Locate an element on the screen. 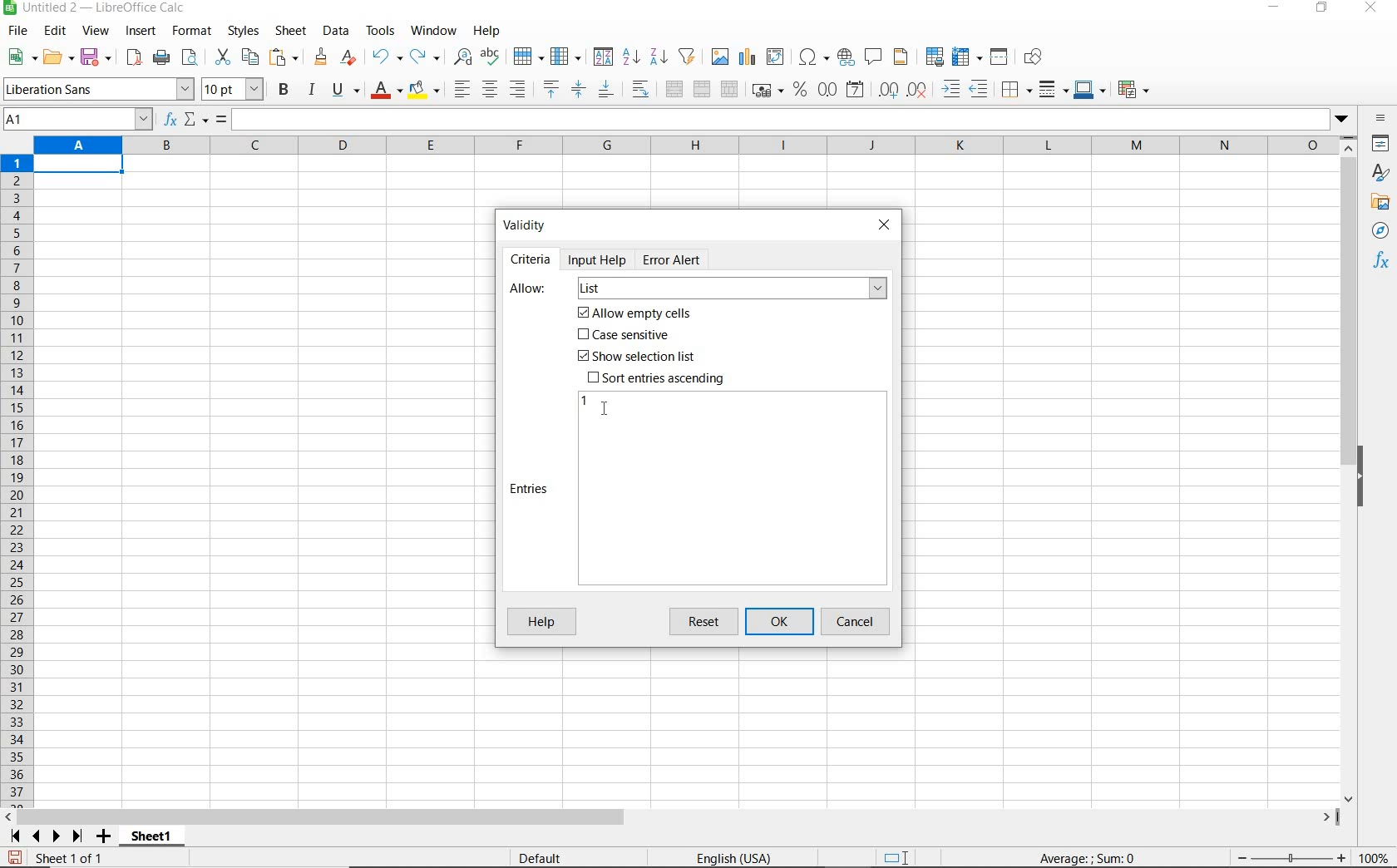 This screenshot has height=868, width=1397. view is located at coordinates (96, 32).